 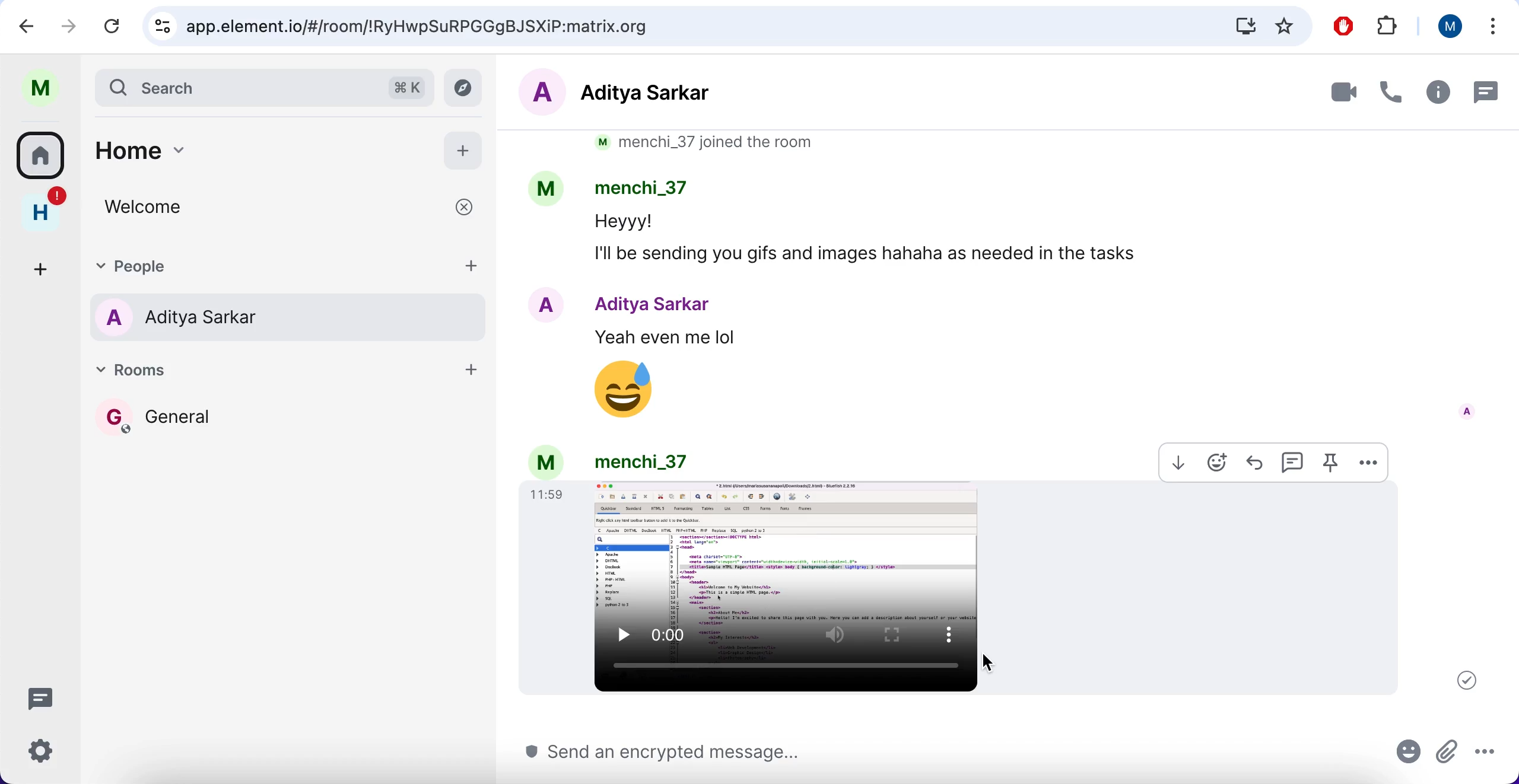 What do you see at coordinates (25, 28) in the screenshot?
I see `backward` at bounding box center [25, 28].